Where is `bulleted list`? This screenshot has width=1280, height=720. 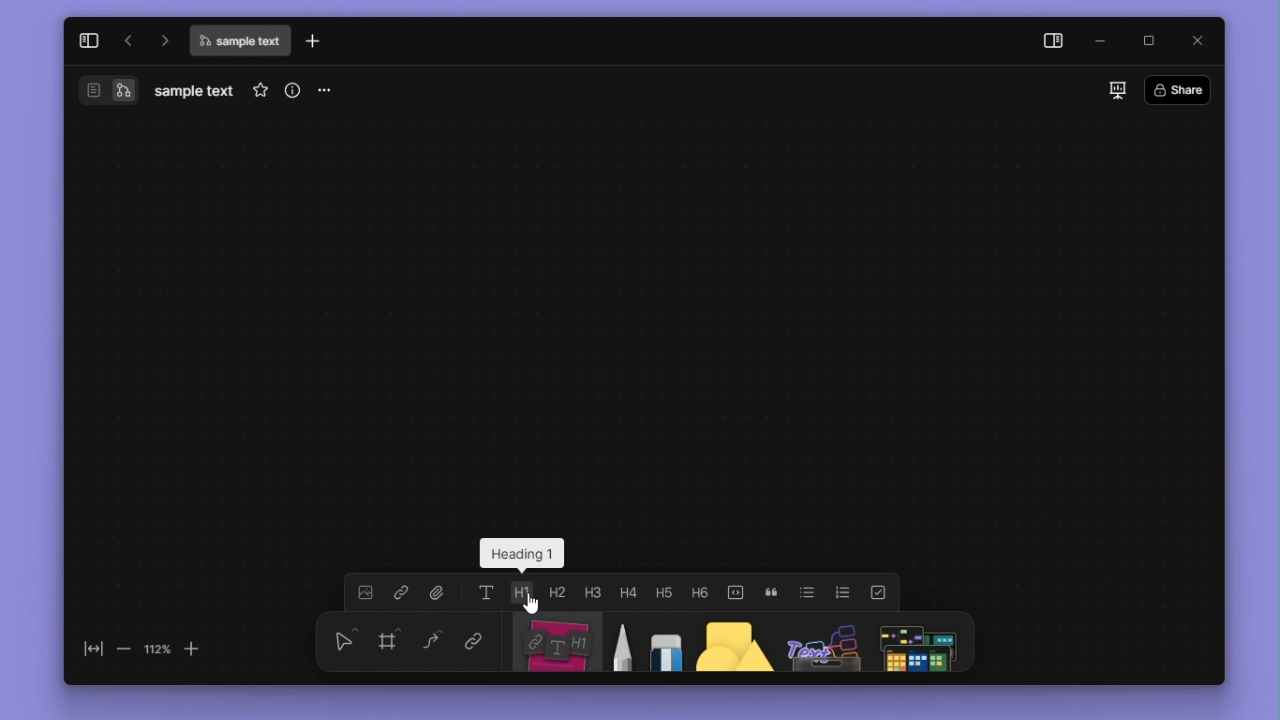
bulleted list is located at coordinates (807, 592).